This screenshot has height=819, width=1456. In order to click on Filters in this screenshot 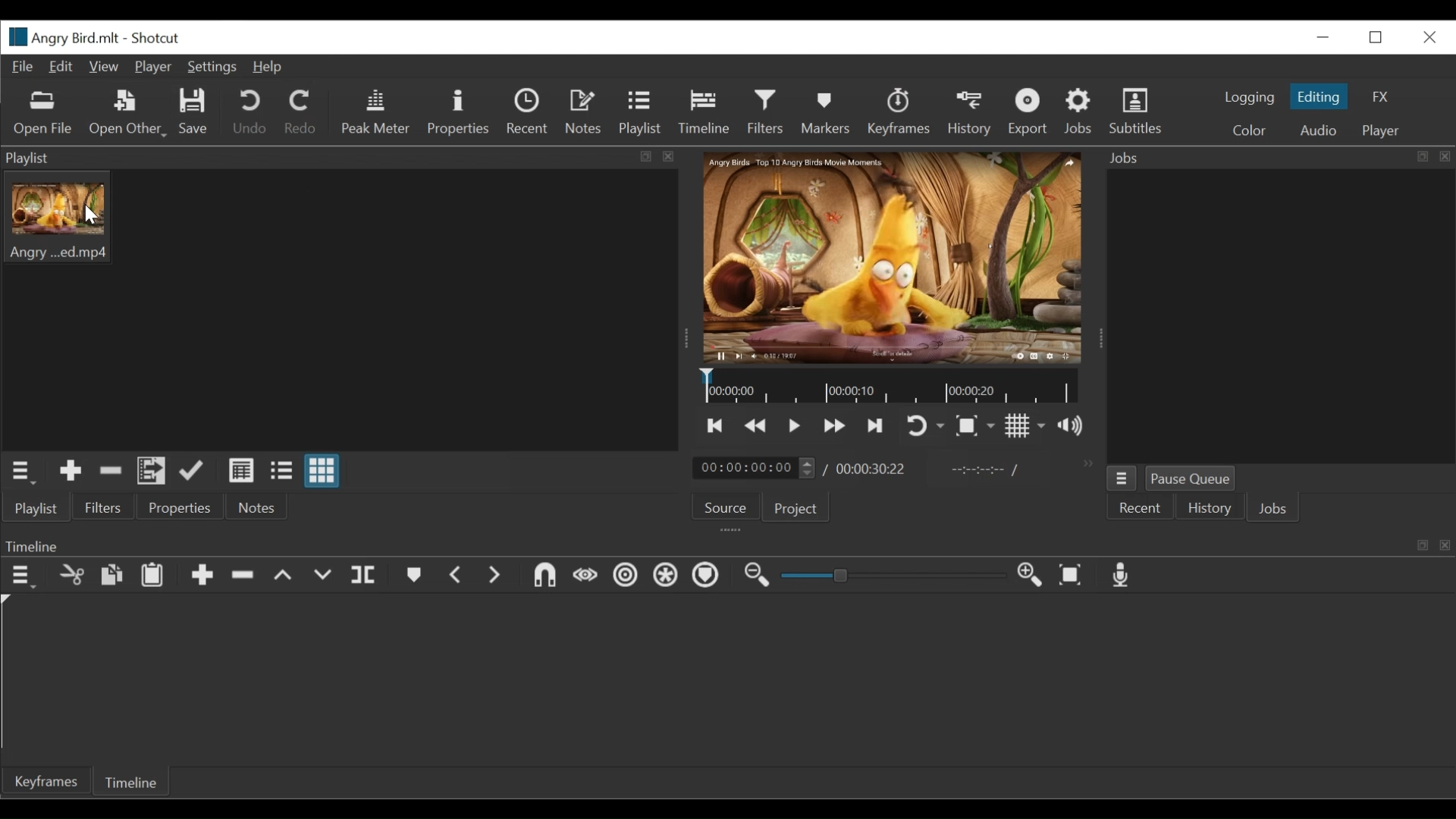, I will do `click(766, 111)`.